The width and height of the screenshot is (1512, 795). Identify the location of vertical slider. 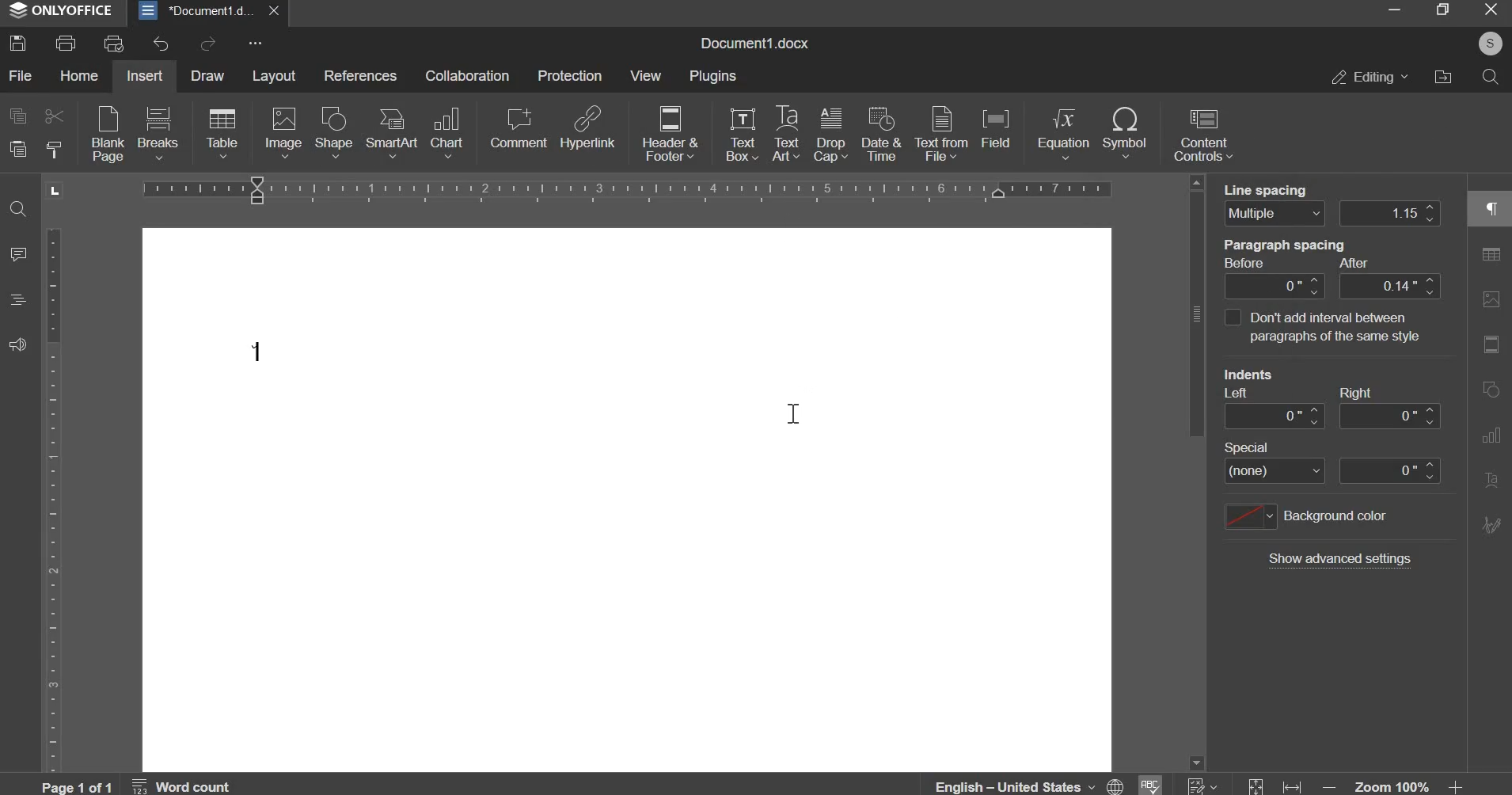
(1198, 473).